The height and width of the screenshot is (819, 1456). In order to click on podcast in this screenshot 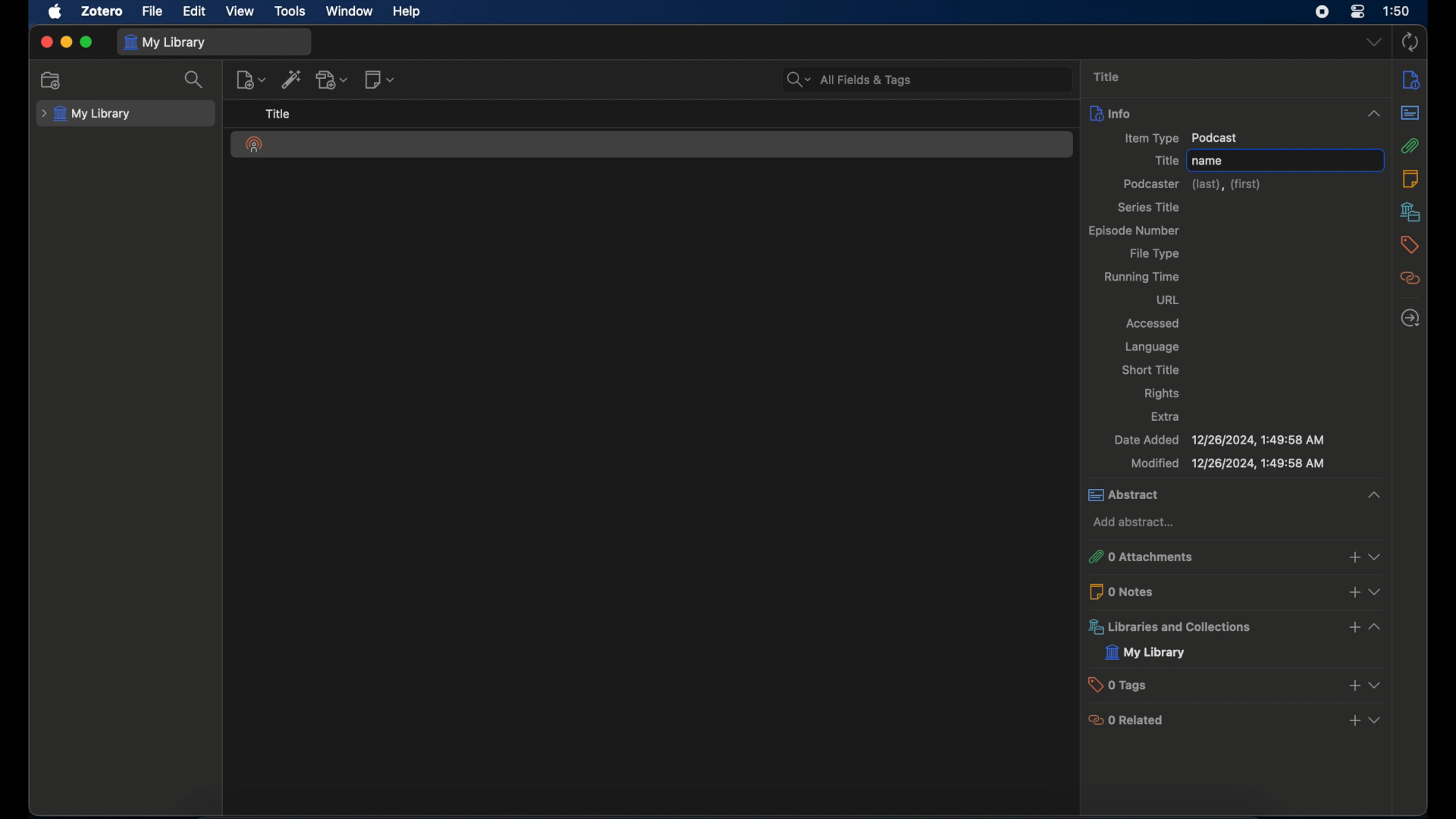, I will do `click(255, 145)`.